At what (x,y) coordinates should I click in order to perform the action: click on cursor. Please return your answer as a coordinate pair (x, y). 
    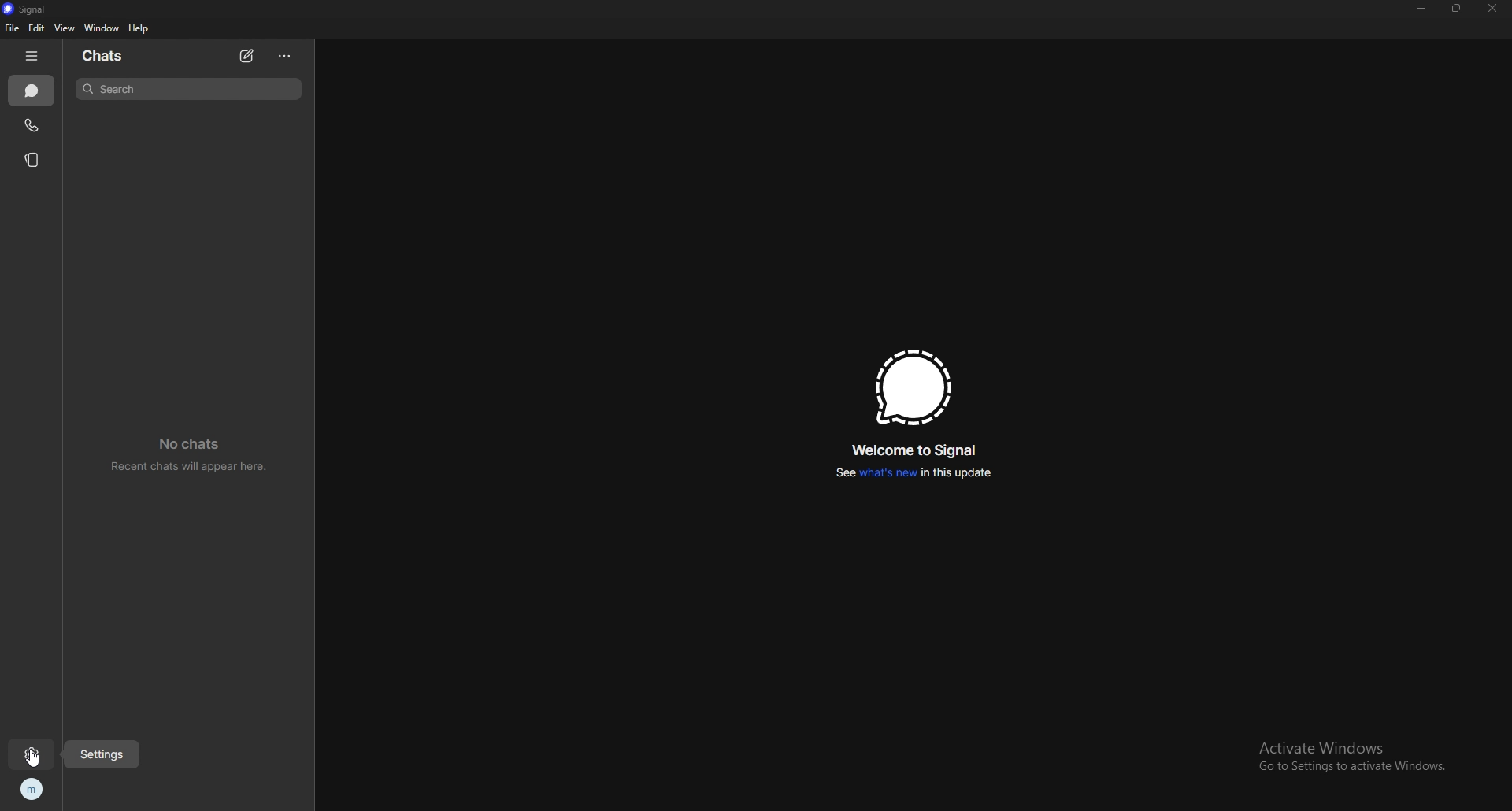
    Looking at the image, I should click on (35, 758).